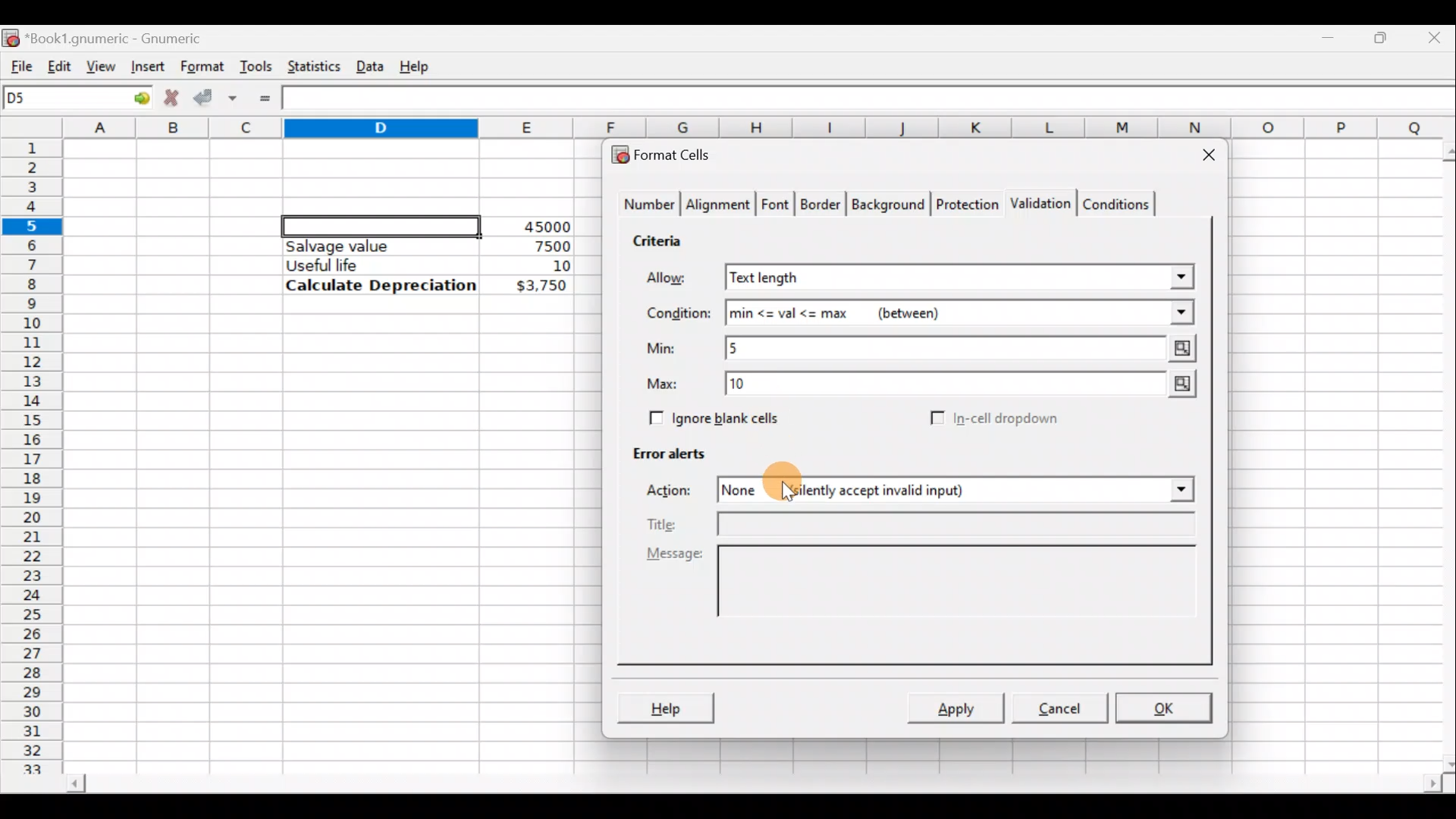 The height and width of the screenshot is (819, 1456). Describe the element at coordinates (678, 493) in the screenshot. I see `Action` at that location.